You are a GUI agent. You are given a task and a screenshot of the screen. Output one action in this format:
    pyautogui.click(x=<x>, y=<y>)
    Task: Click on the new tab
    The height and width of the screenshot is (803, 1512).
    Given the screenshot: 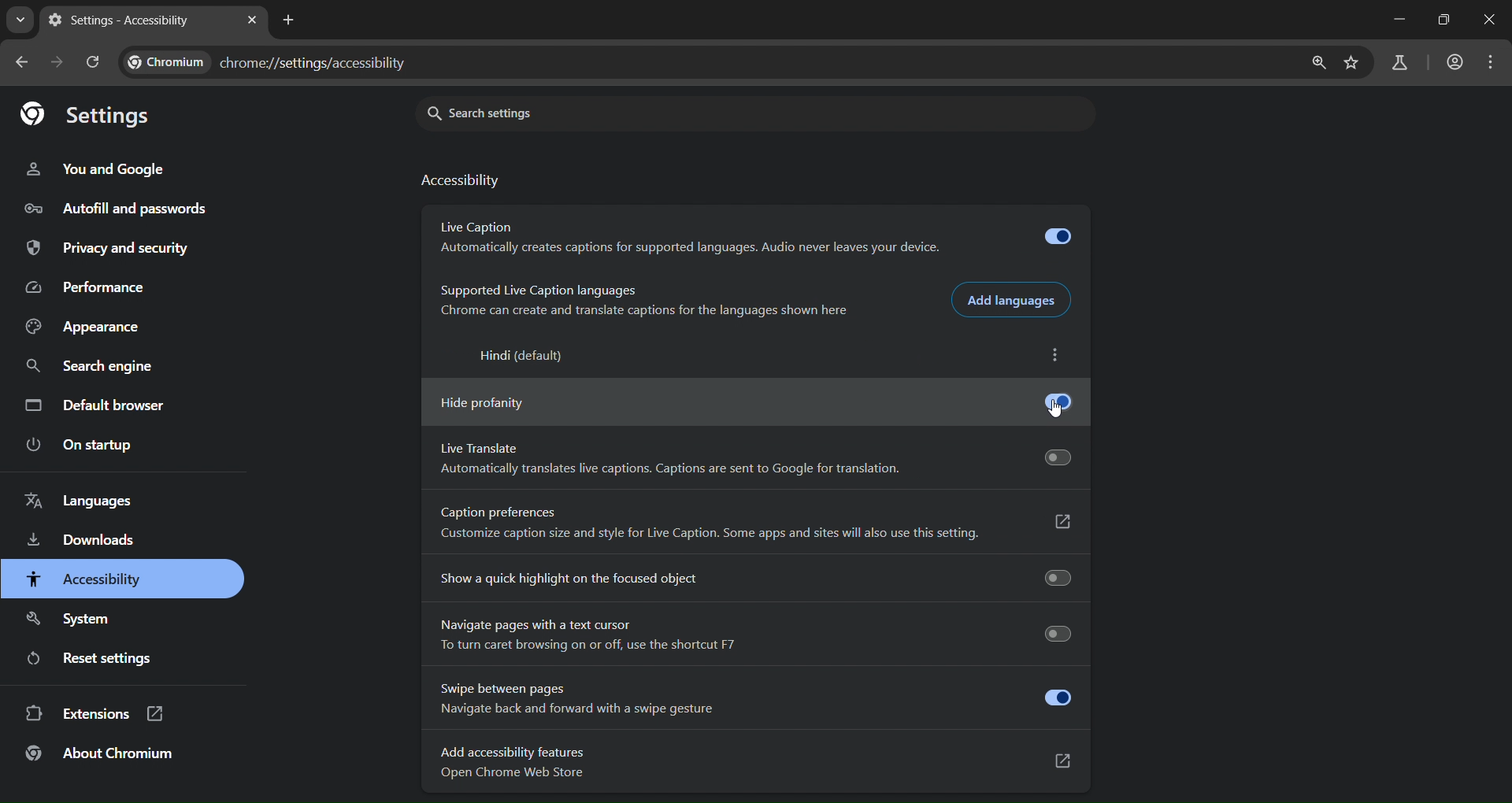 What is the action you would take?
    pyautogui.click(x=287, y=20)
    